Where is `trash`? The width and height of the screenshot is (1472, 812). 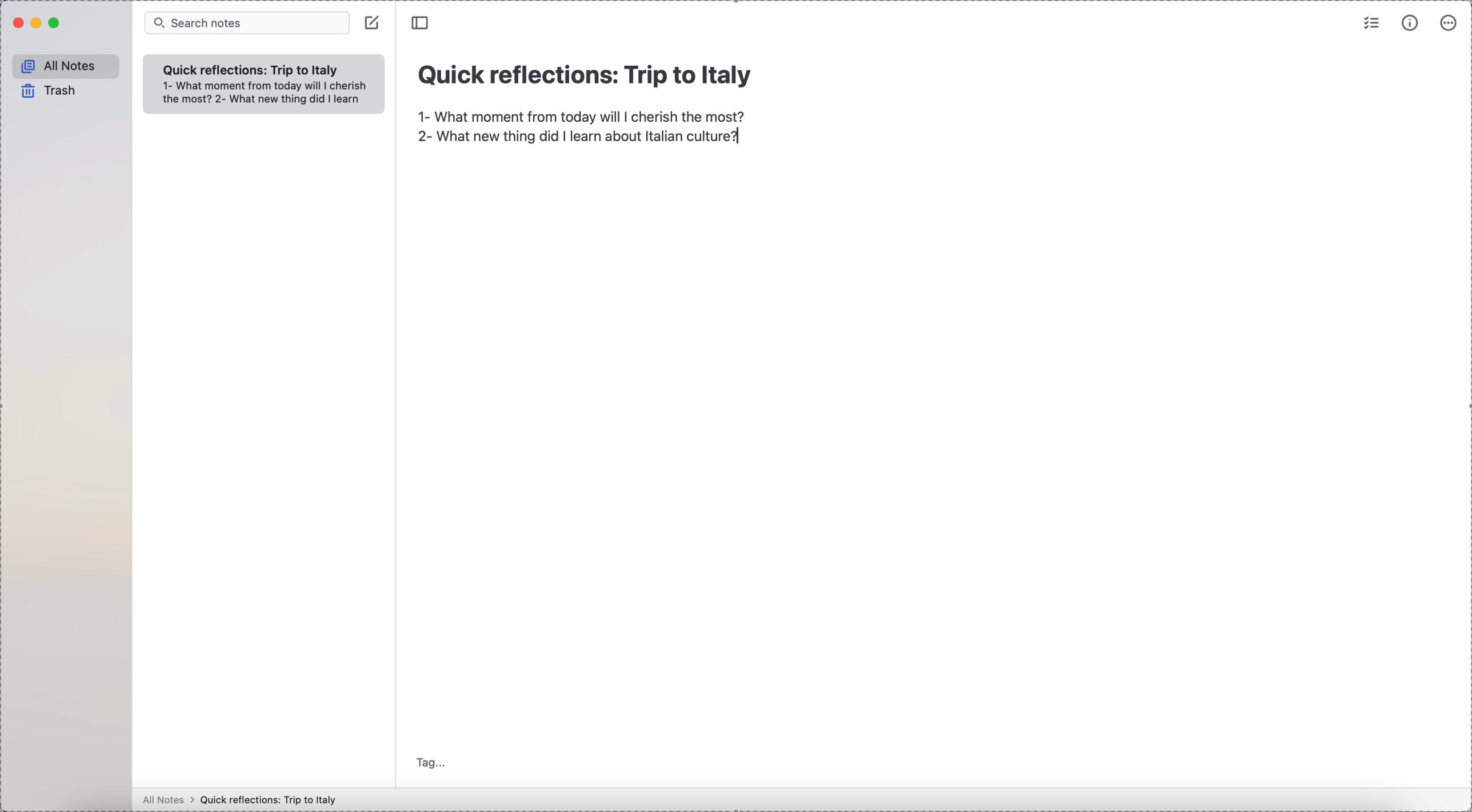 trash is located at coordinates (47, 91).